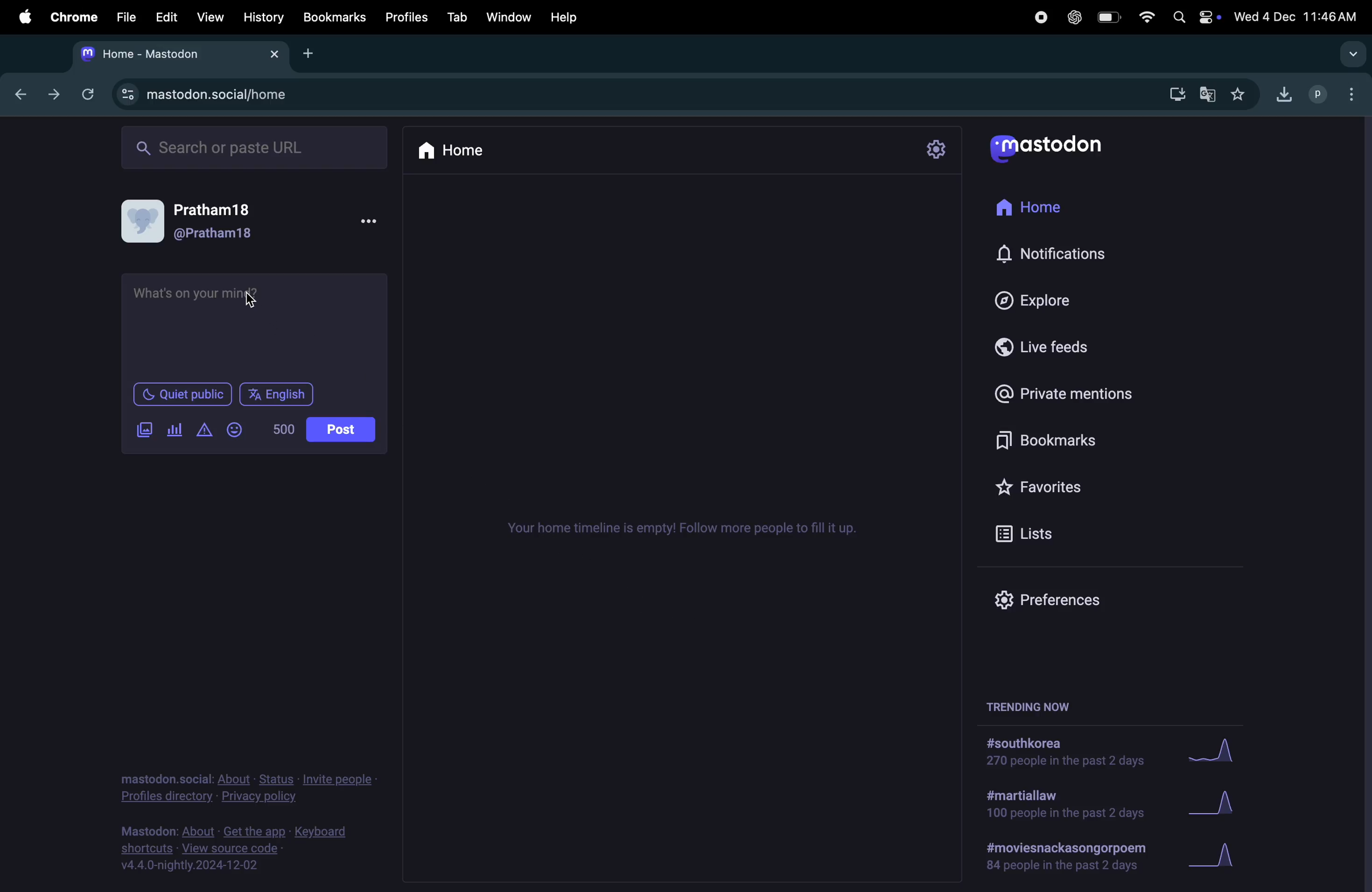  I want to click on Chrome, so click(72, 17).